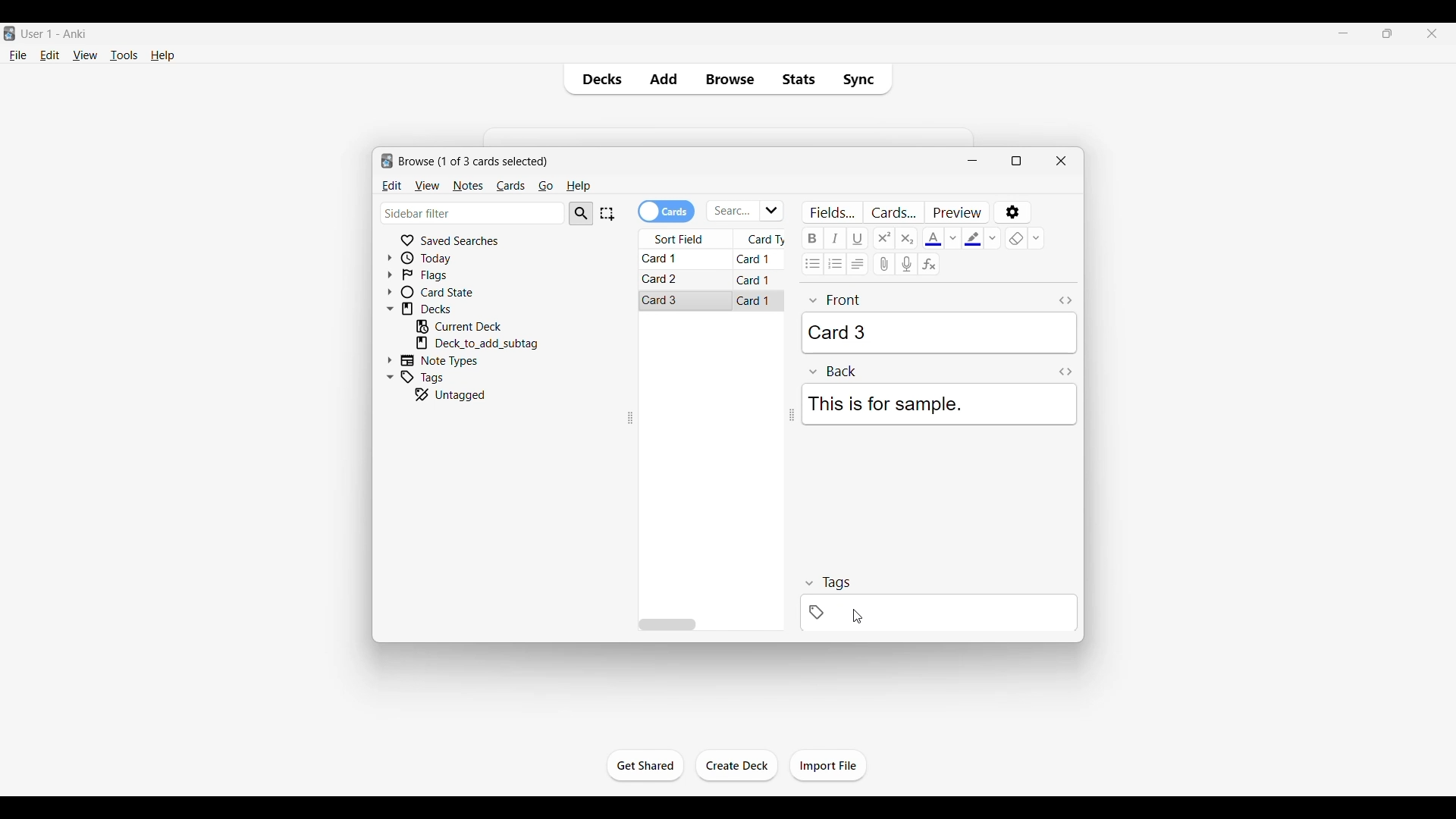  What do you see at coordinates (450, 309) in the screenshot?
I see `Click to go to decks` at bounding box center [450, 309].